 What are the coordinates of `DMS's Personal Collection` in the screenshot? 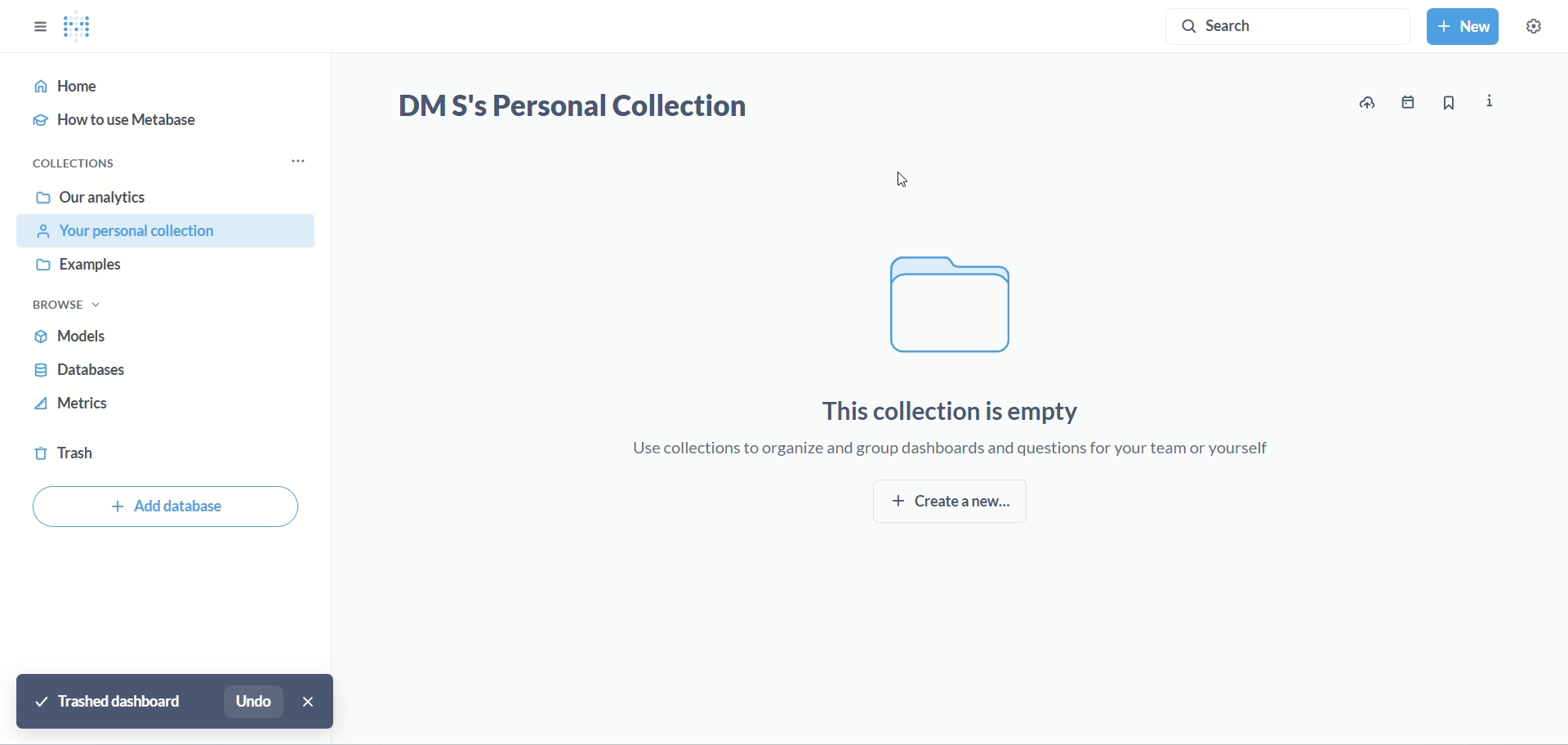 It's located at (572, 108).